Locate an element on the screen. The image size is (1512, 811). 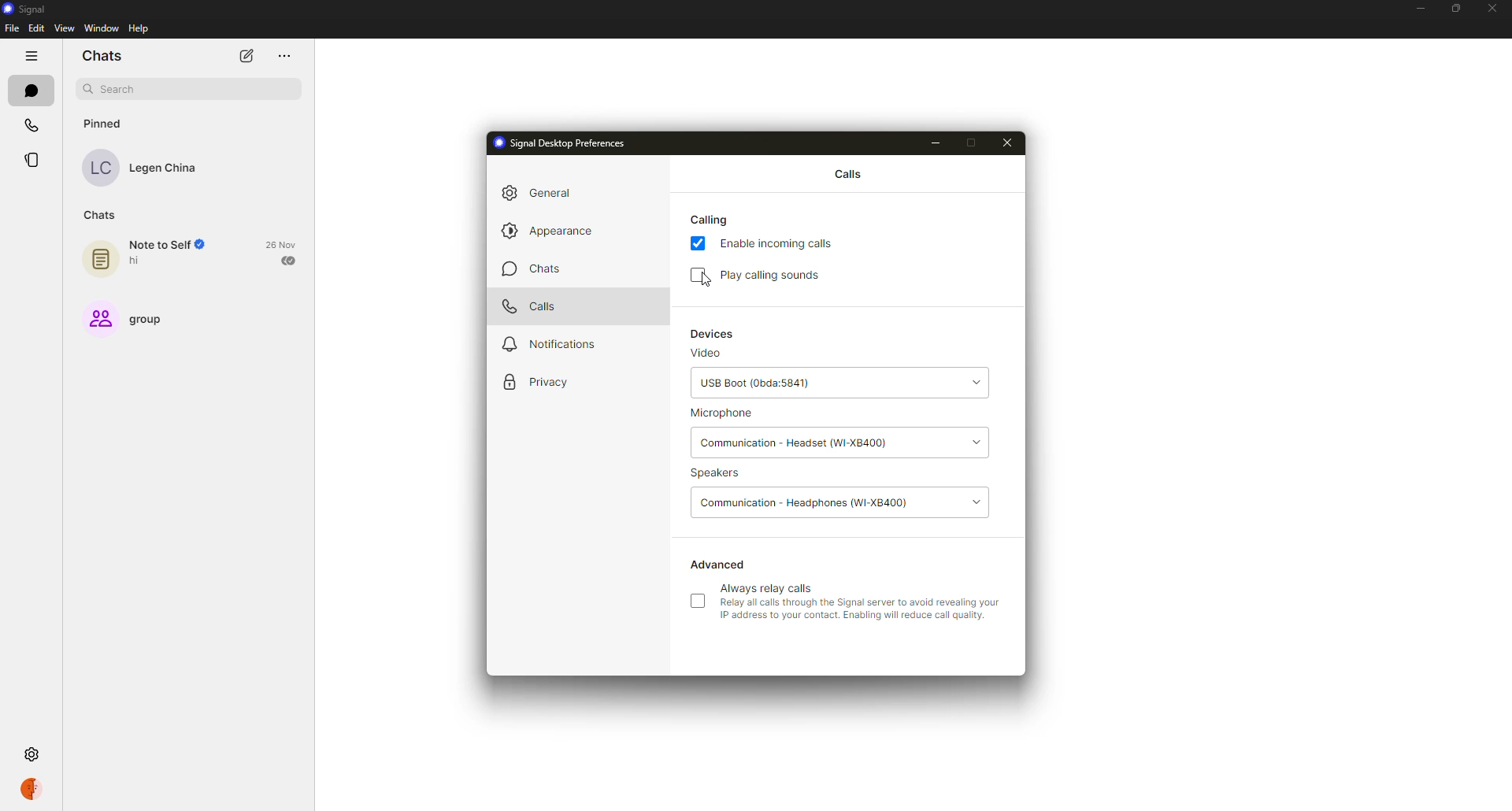
signal is located at coordinates (28, 10).